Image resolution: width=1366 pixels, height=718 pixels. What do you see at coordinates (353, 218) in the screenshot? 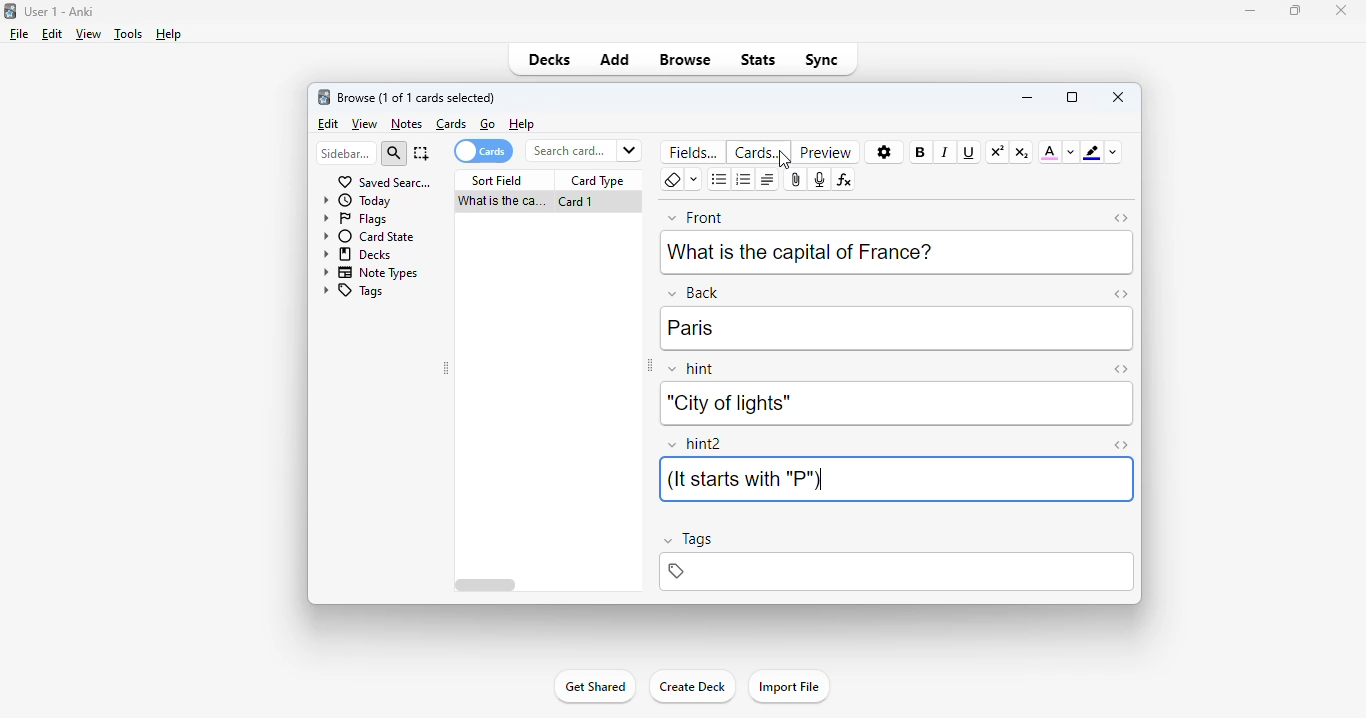
I see `flags` at bounding box center [353, 218].